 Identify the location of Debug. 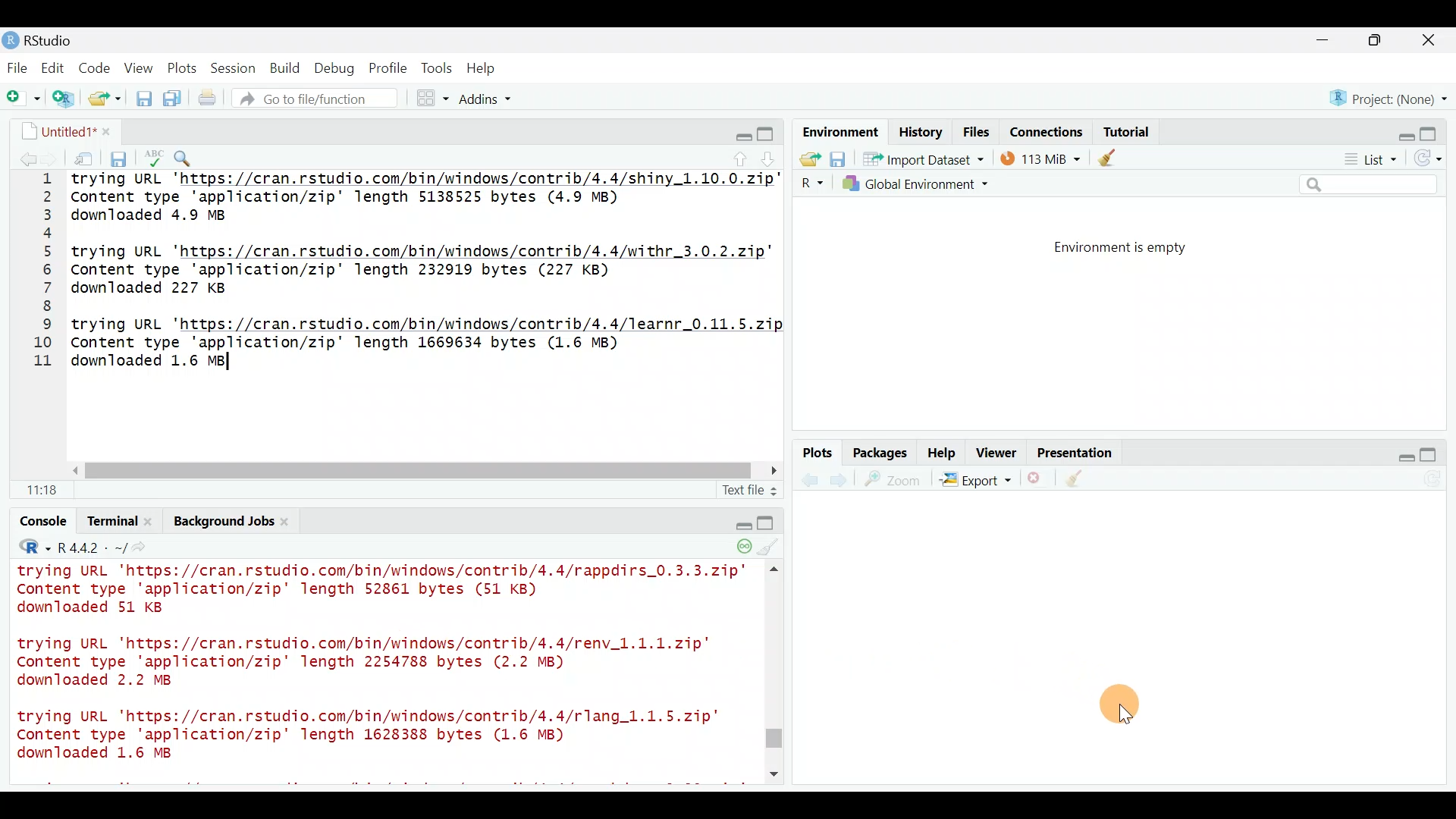
(333, 69).